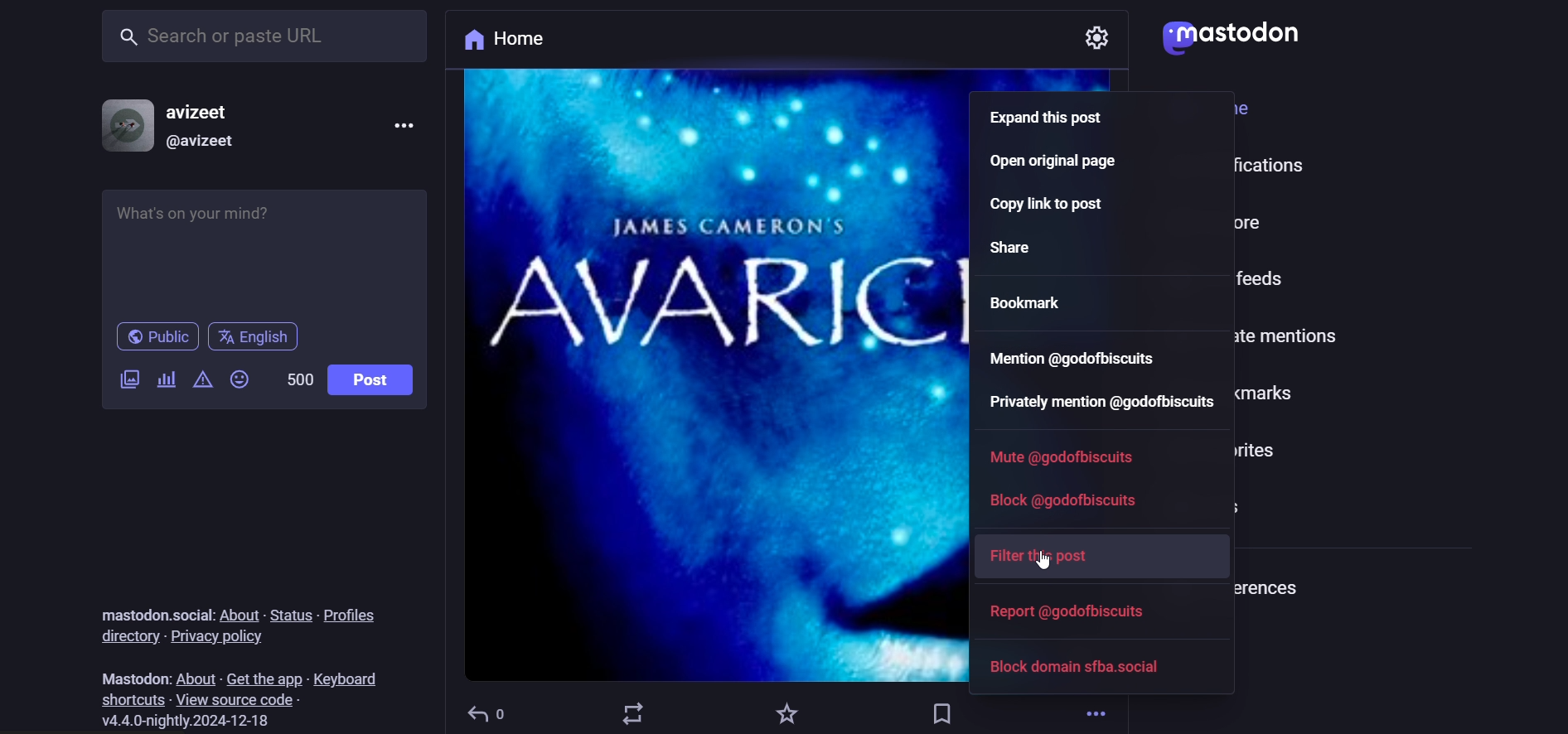  Describe the element at coordinates (133, 699) in the screenshot. I see `shortcut` at that location.